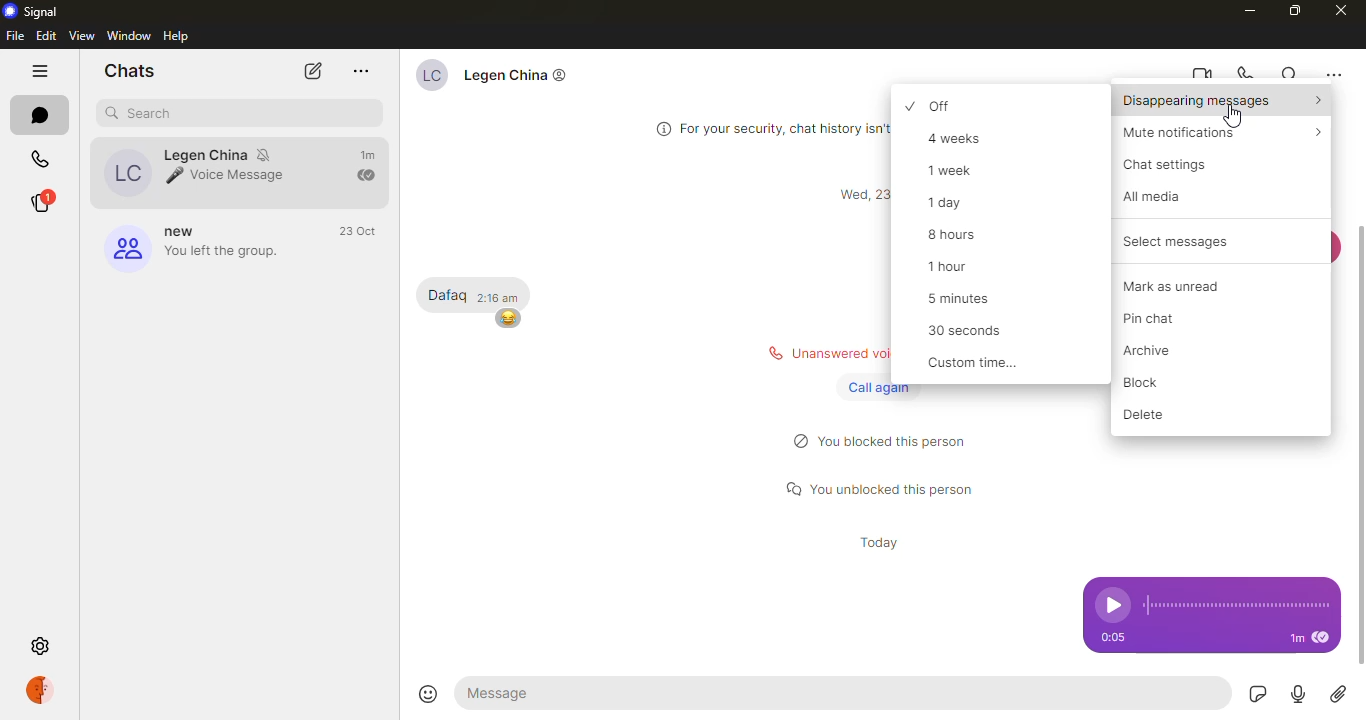 This screenshot has width=1366, height=720. I want to click on sent, so click(368, 176).